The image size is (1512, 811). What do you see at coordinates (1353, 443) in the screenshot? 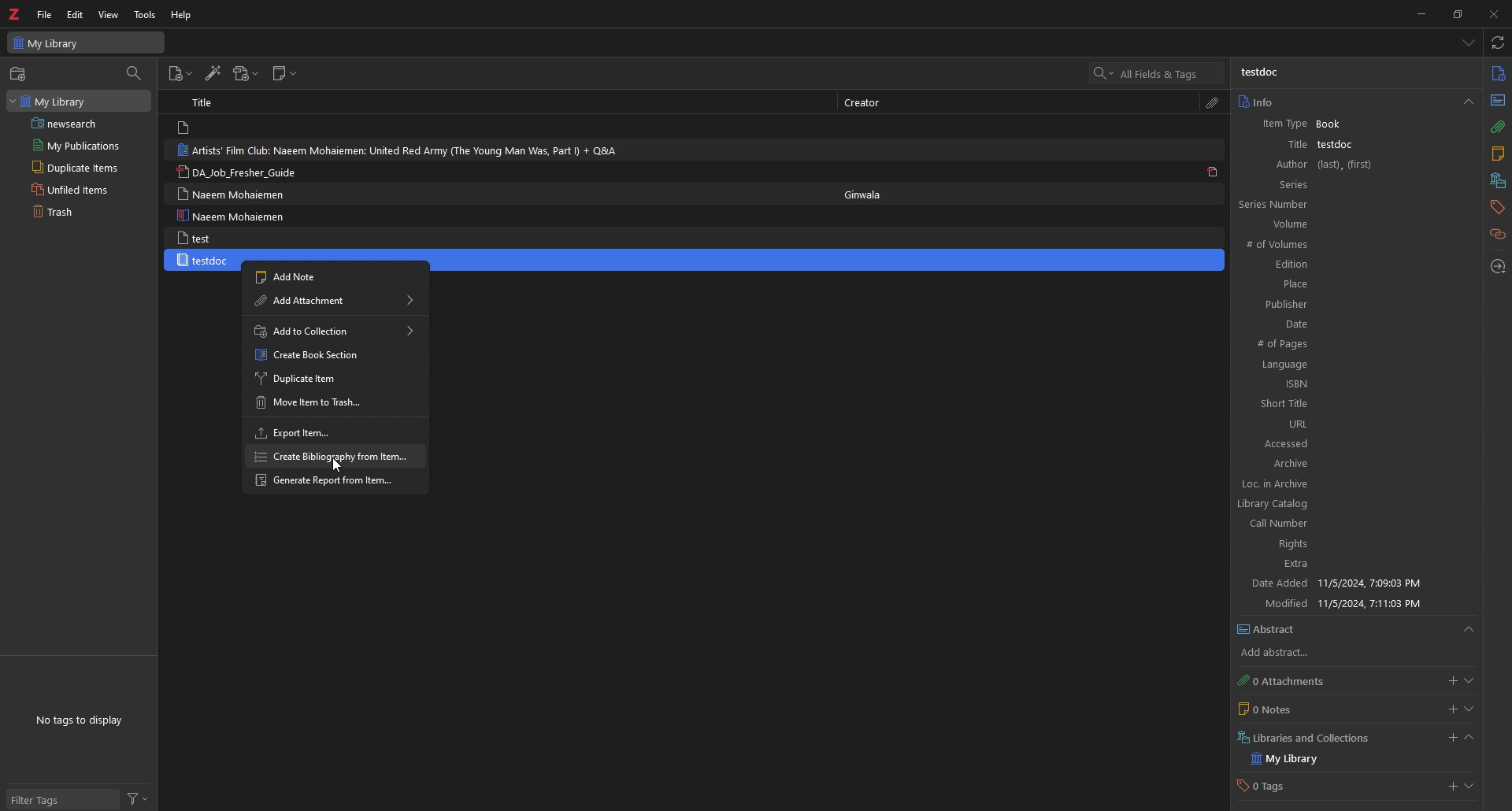
I see `Accessed` at bounding box center [1353, 443].